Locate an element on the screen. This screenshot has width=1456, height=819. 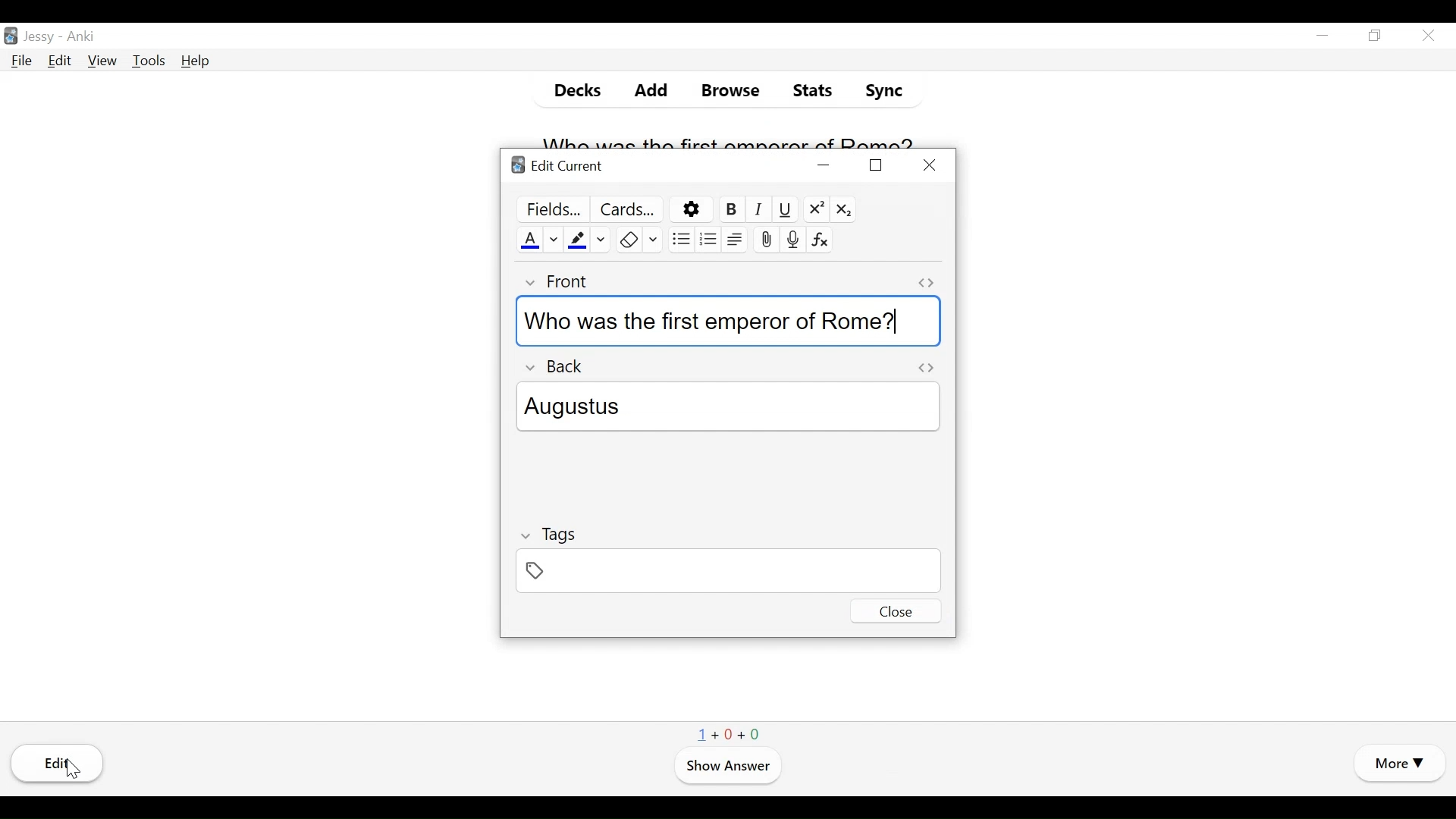
minimize is located at coordinates (1323, 36).